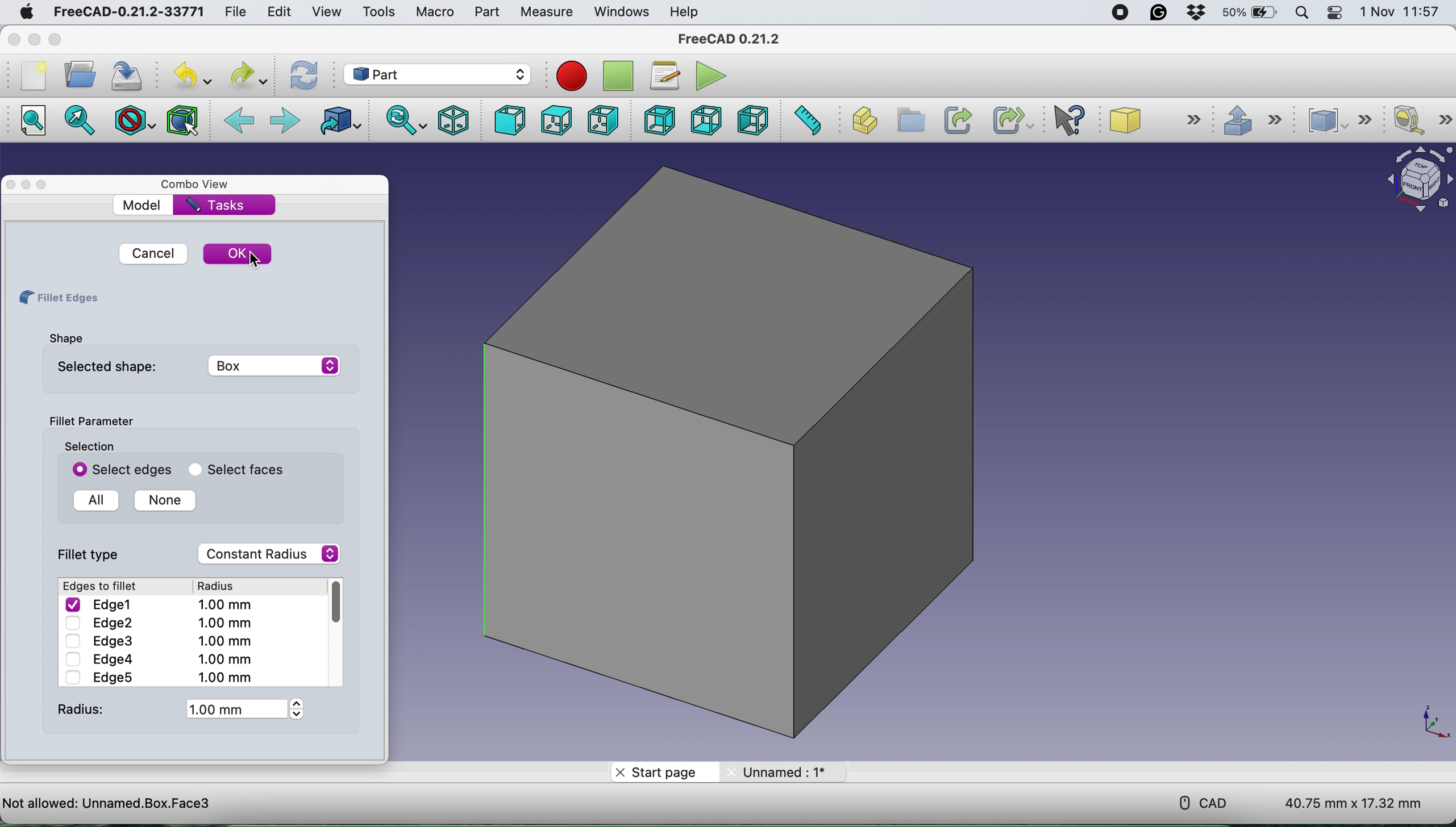  Describe the element at coordinates (14, 184) in the screenshot. I see `close` at that location.